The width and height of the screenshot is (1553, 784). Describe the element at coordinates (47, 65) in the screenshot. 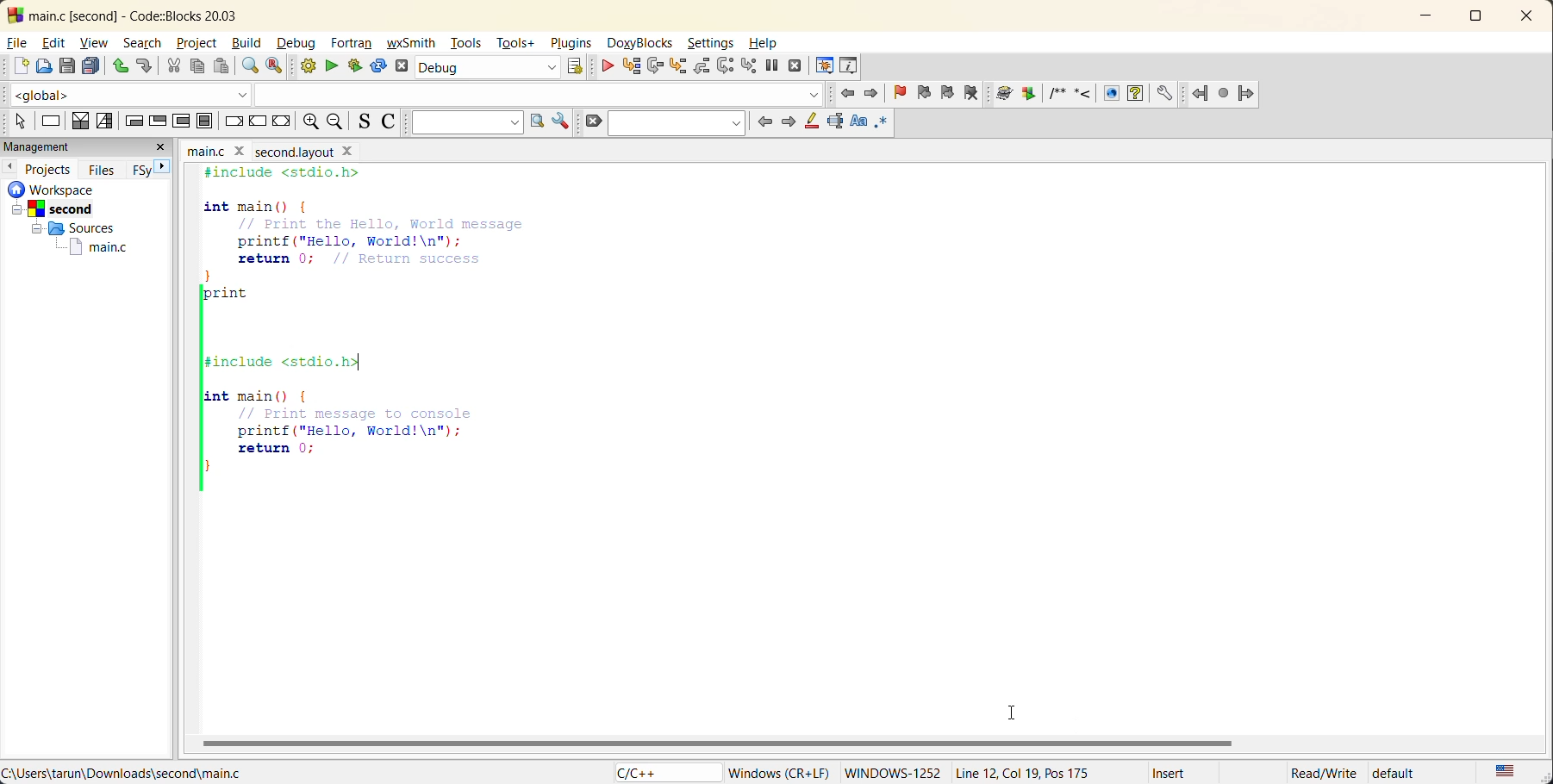

I see `open` at that location.